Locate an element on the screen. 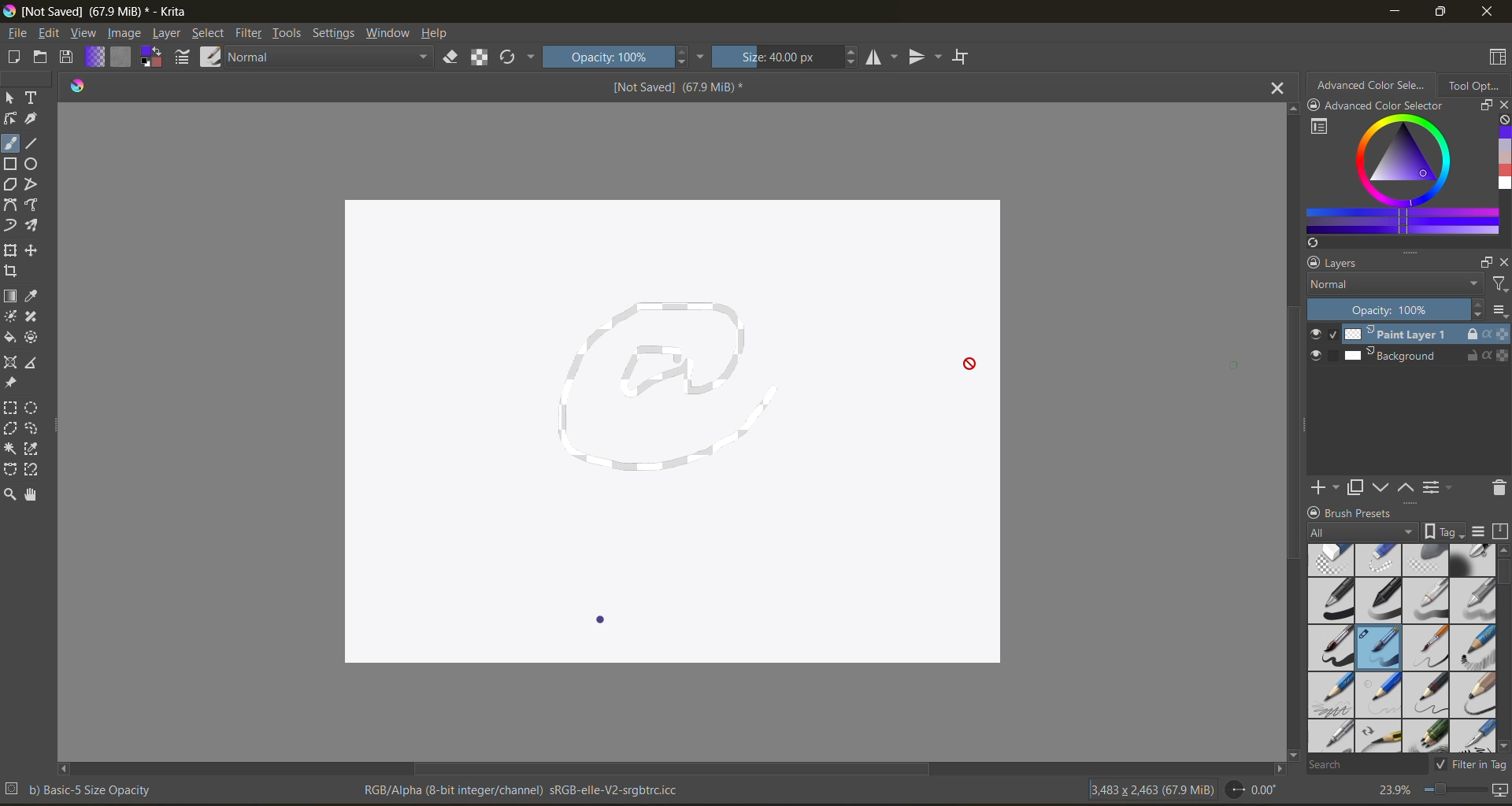  duplicate mask is located at coordinates (1355, 488).